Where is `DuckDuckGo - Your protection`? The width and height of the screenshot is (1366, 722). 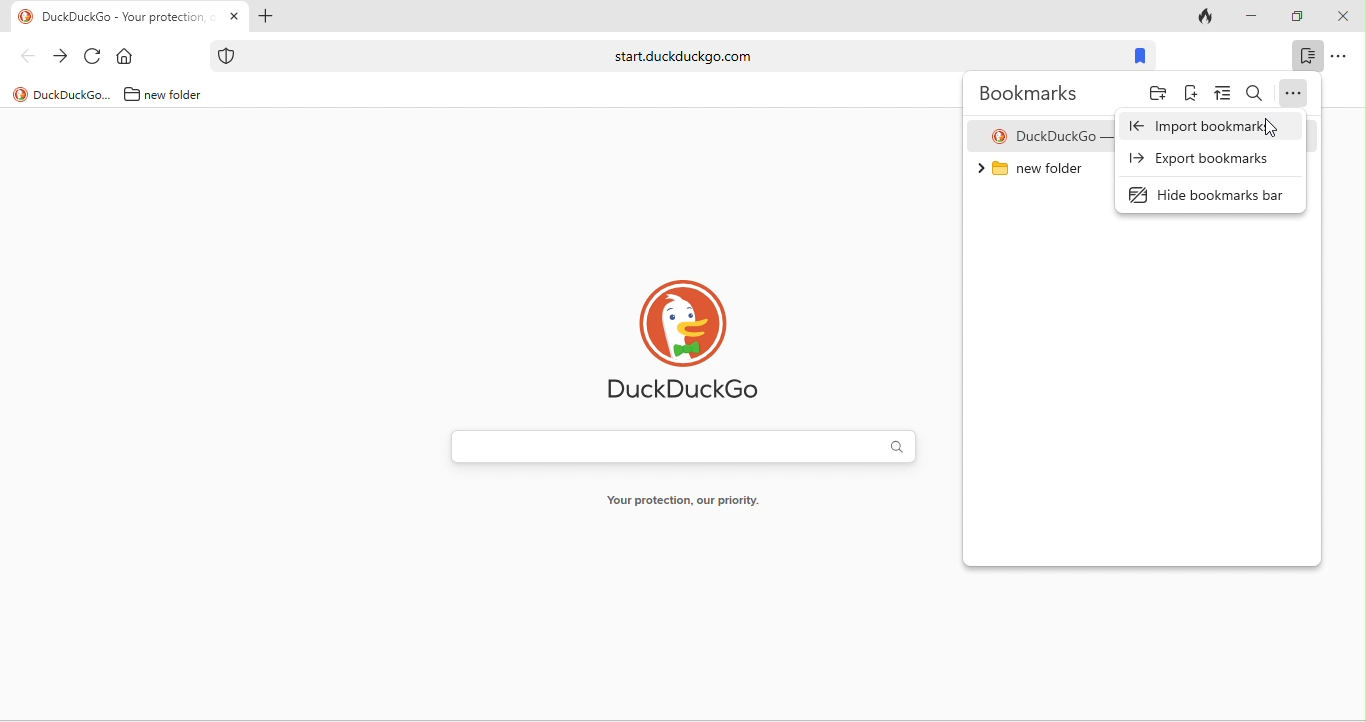 DuckDuckGo - Your protection is located at coordinates (128, 18).